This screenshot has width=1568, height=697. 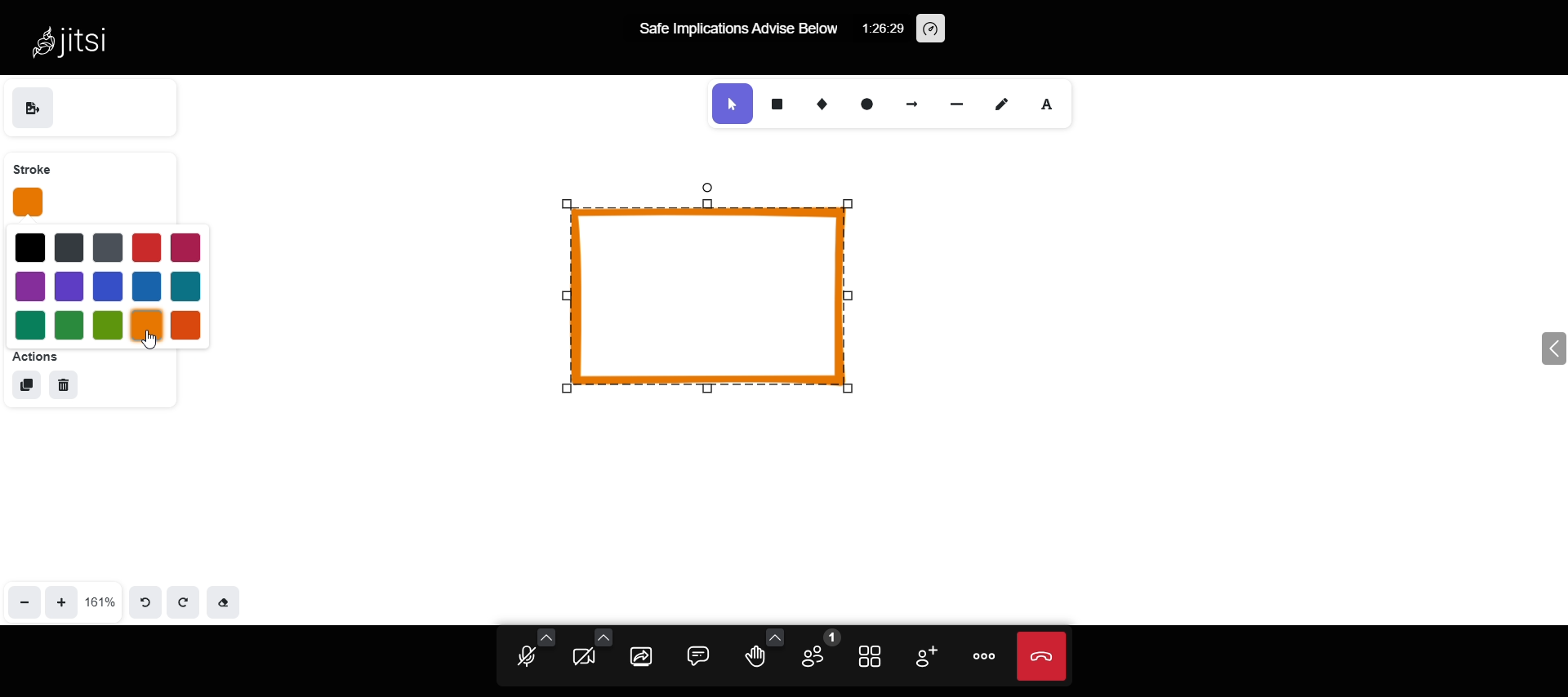 I want to click on stroke changed, so click(x=33, y=203).